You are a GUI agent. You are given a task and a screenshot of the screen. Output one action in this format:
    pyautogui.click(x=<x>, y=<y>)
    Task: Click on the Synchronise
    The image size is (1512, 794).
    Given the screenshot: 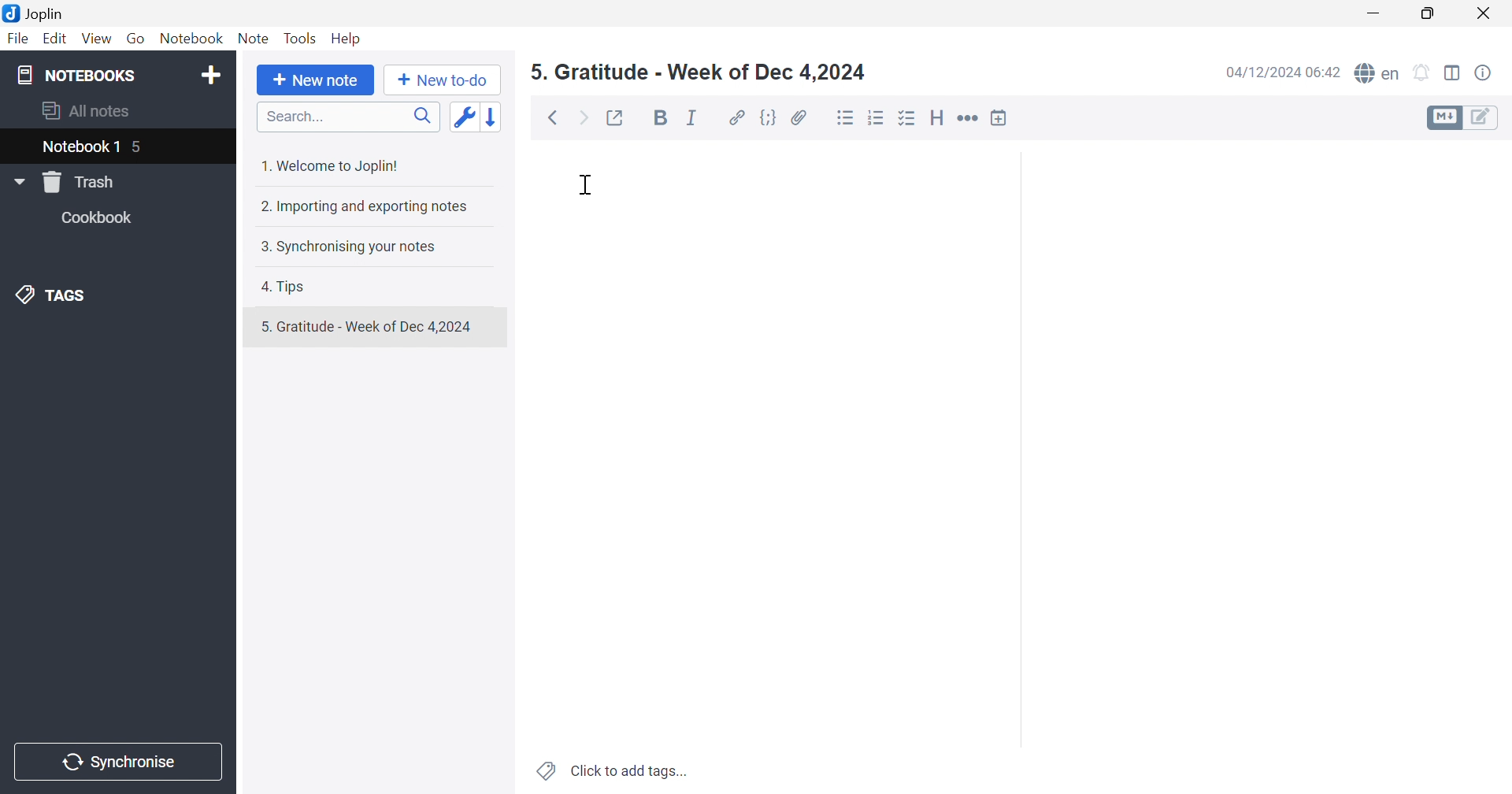 What is the action you would take?
    pyautogui.click(x=122, y=762)
    